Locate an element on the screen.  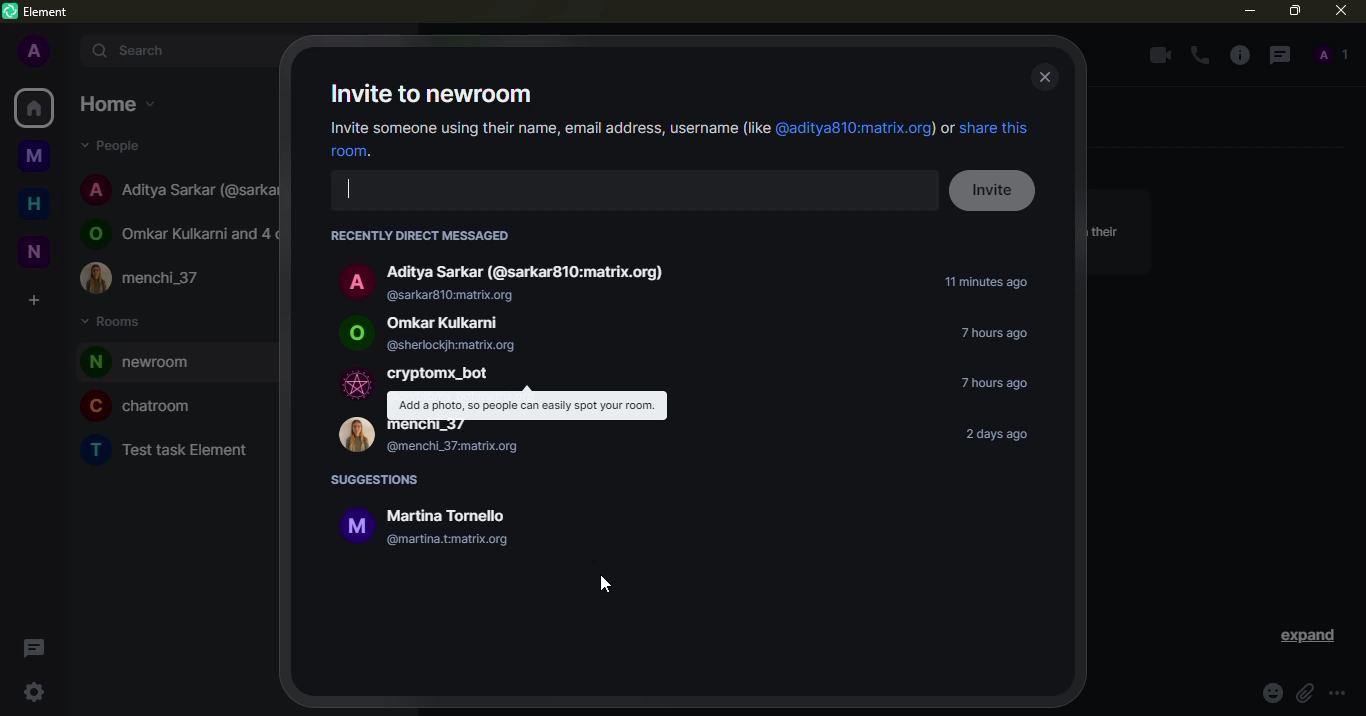
voice call is located at coordinates (1198, 55).